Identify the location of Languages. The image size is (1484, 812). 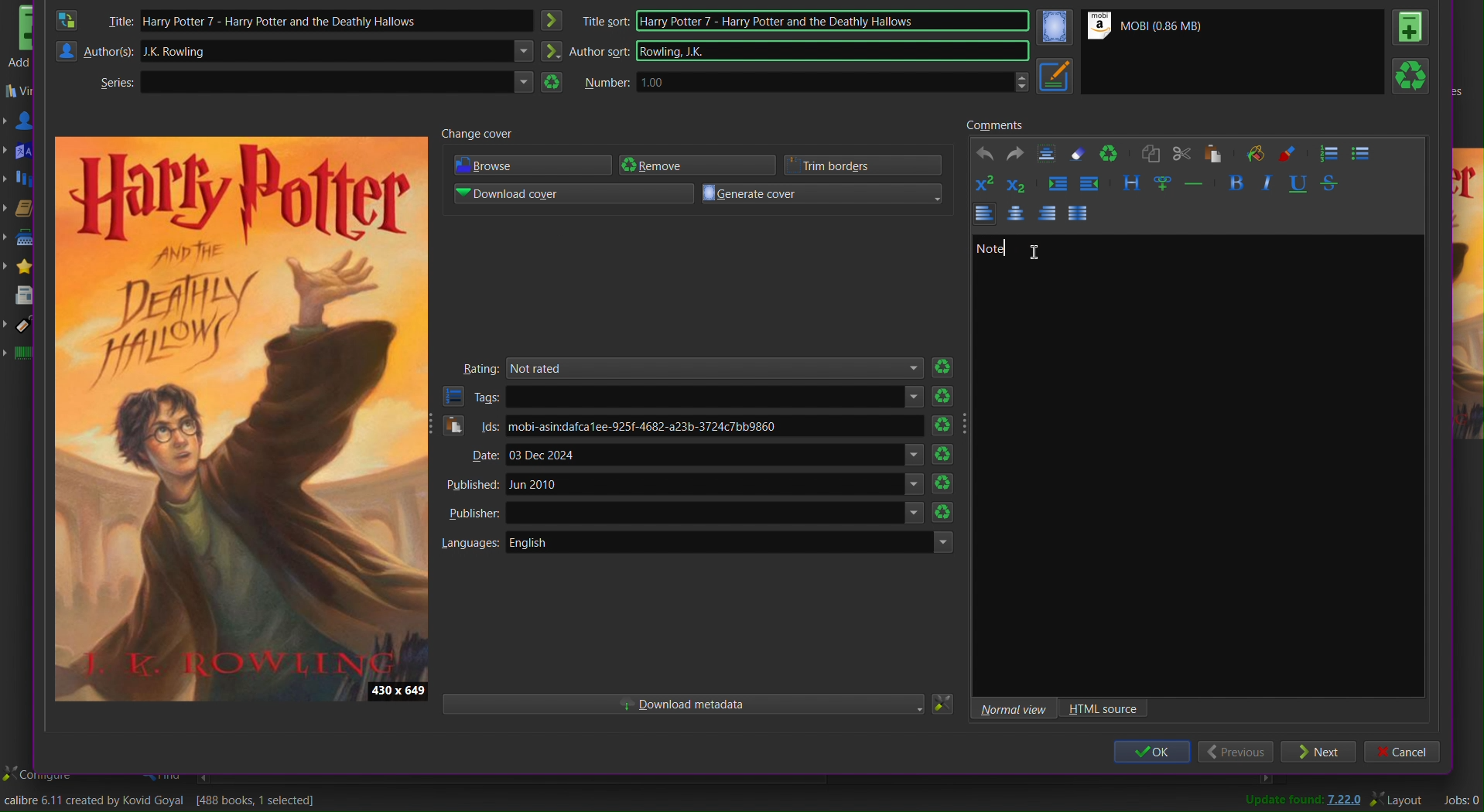
(22, 151).